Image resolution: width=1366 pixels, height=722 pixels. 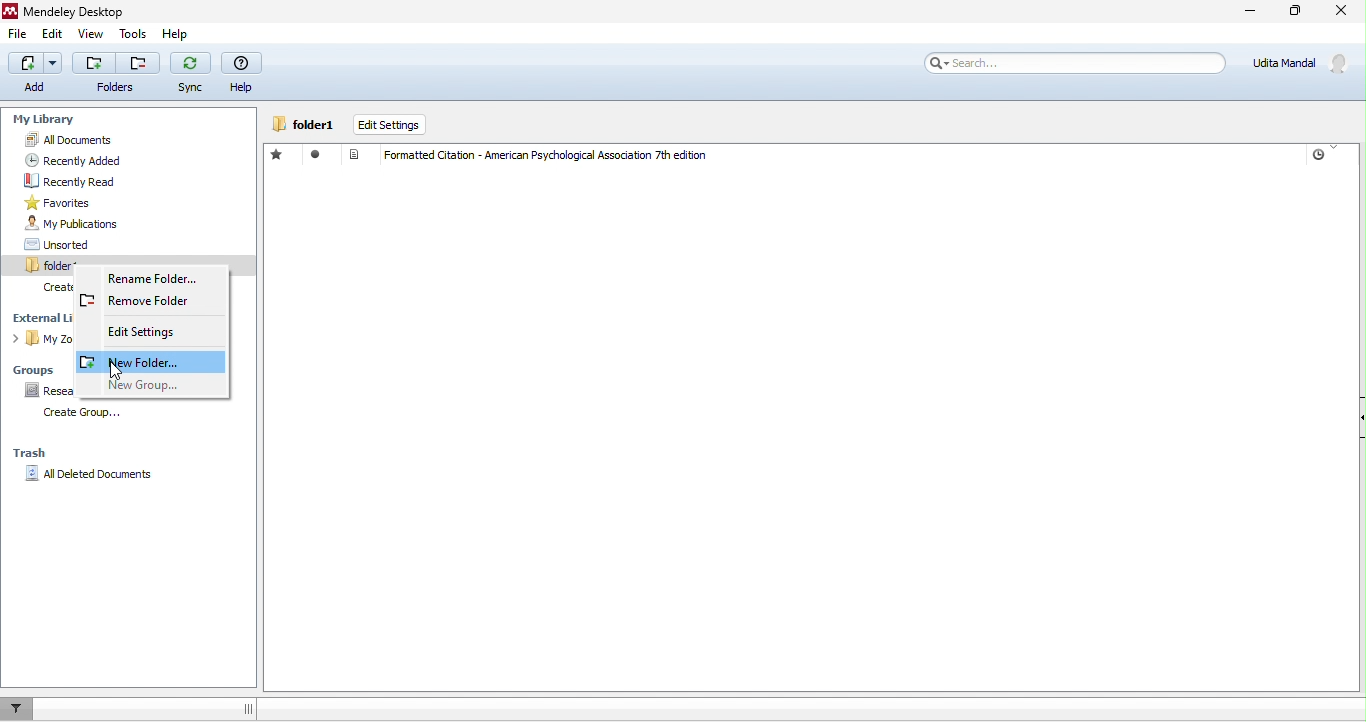 I want to click on favorites, so click(x=65, y=203).